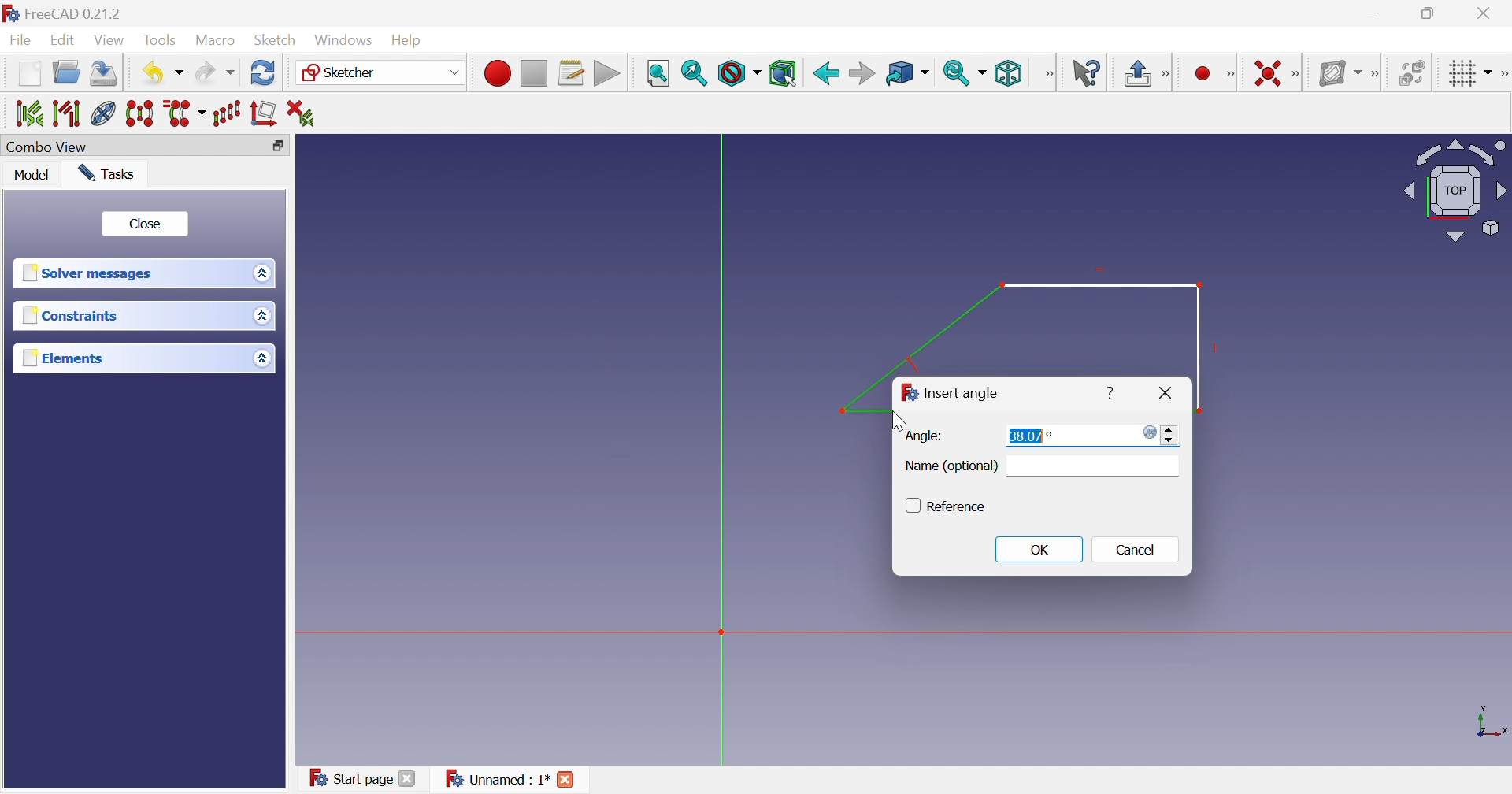  Describe the element at coordinates (1163, 392) in the screenshot. I see `Close` at that location.